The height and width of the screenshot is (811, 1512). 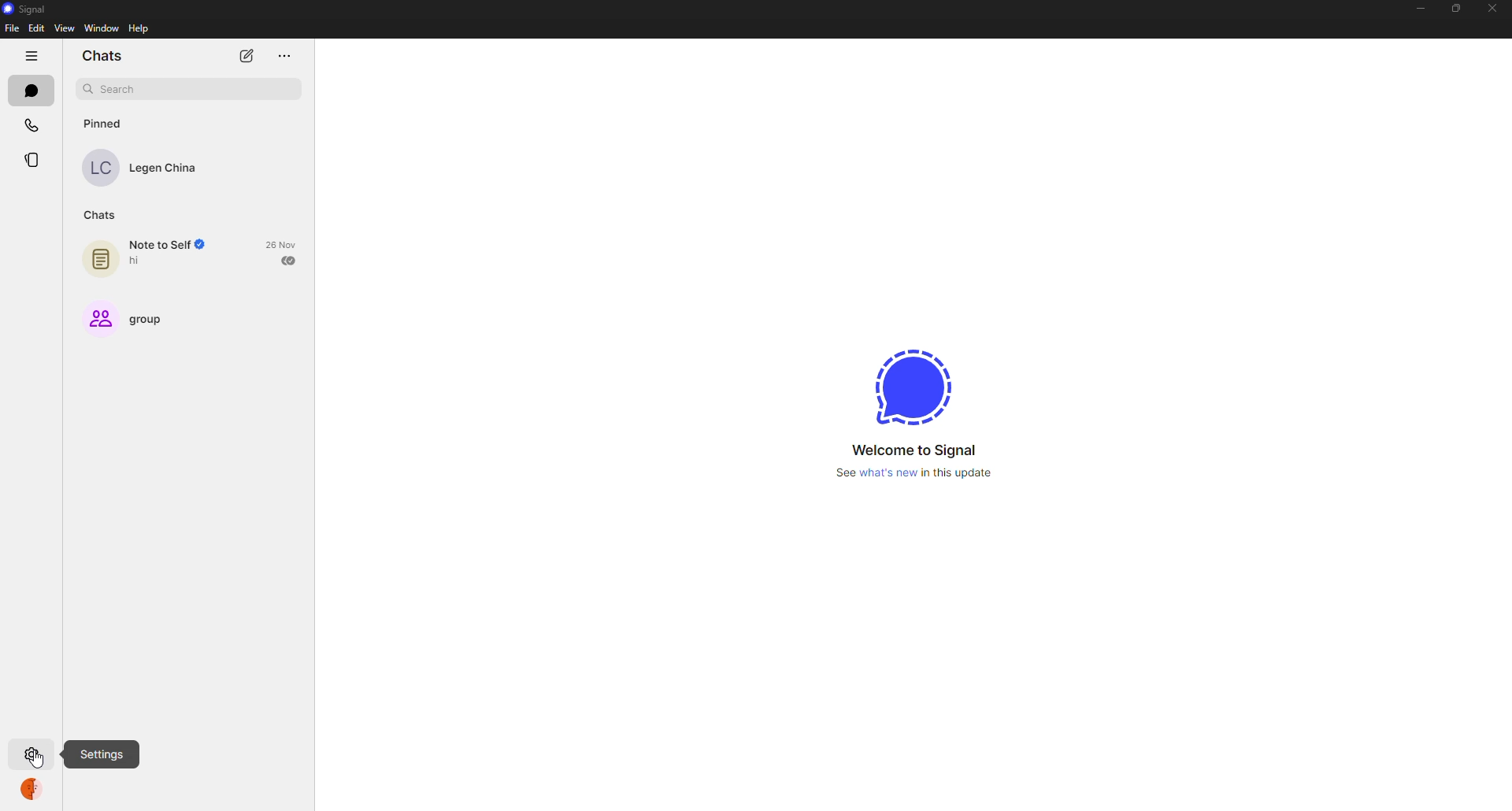 I want to click on chats, so click(x=30, y=91).